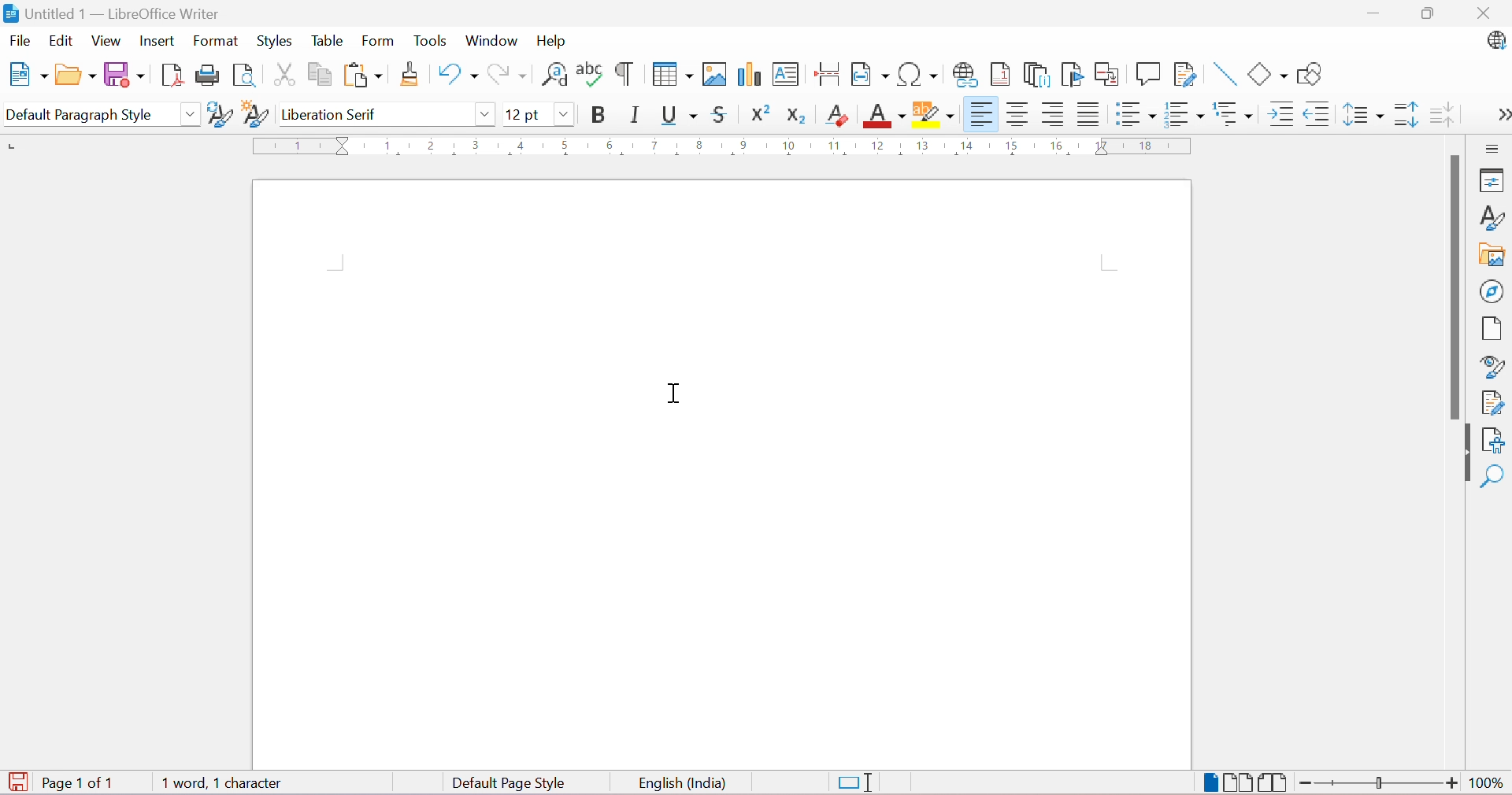 The height and width of the screenshot is (795, 1512). What do you see at coordinates (1306, 783) in the screenshot?
I see `Zoom Out` at bounding box center [1306, 783].